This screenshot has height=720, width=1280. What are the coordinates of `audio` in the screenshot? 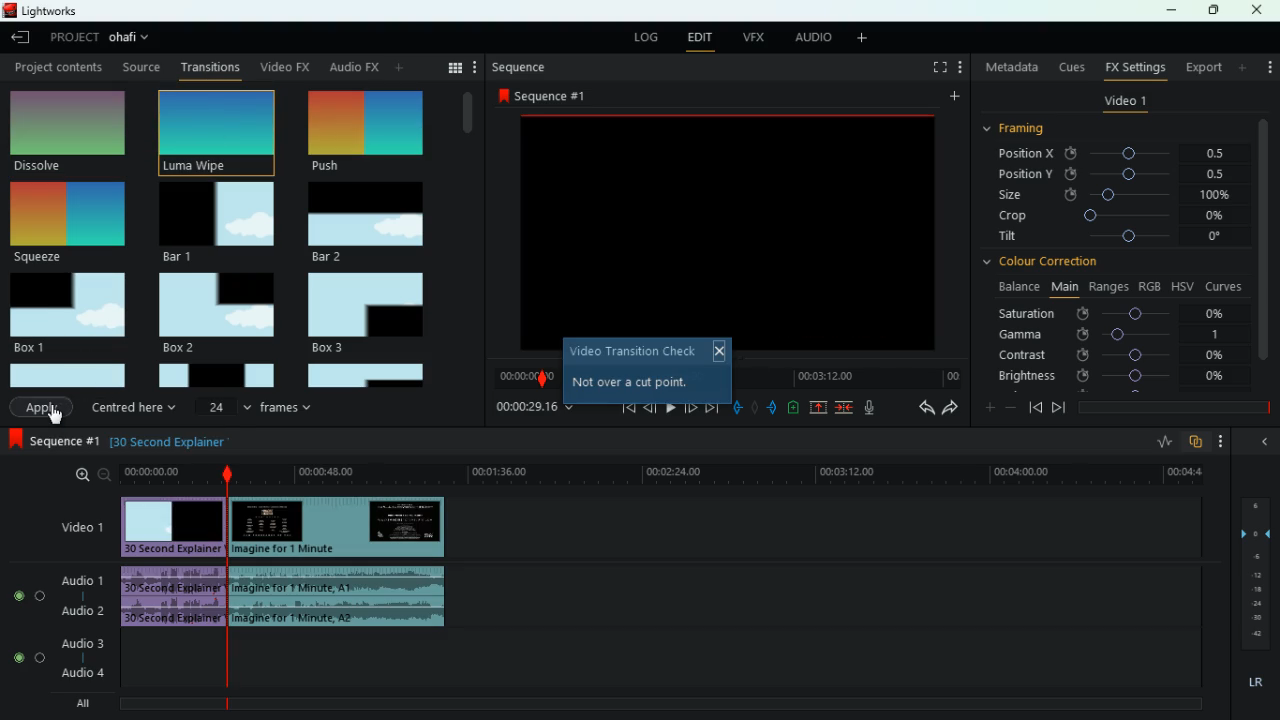 It's located at (176, 599).